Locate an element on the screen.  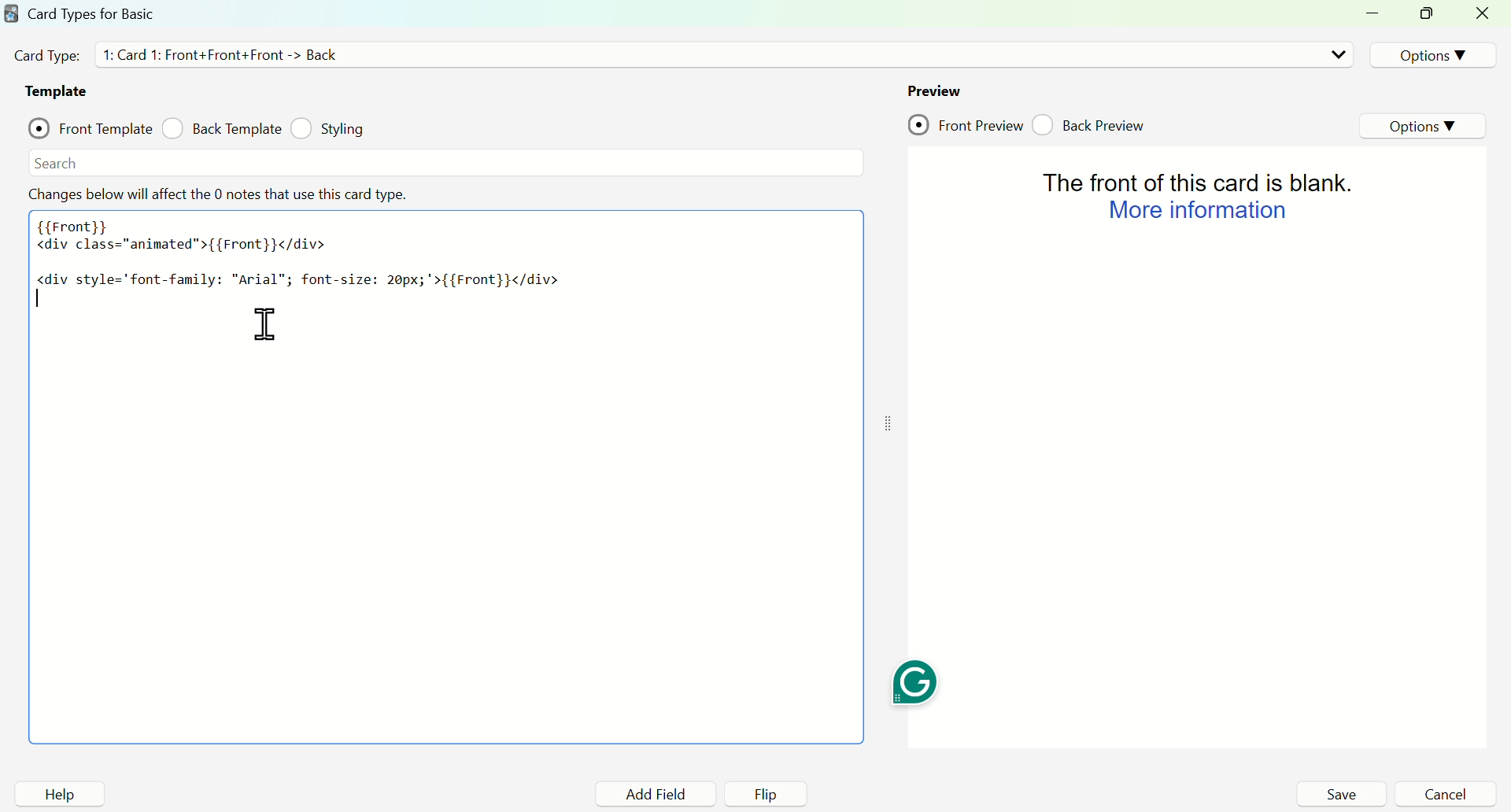
More information is located at coordinates (1195, 211).